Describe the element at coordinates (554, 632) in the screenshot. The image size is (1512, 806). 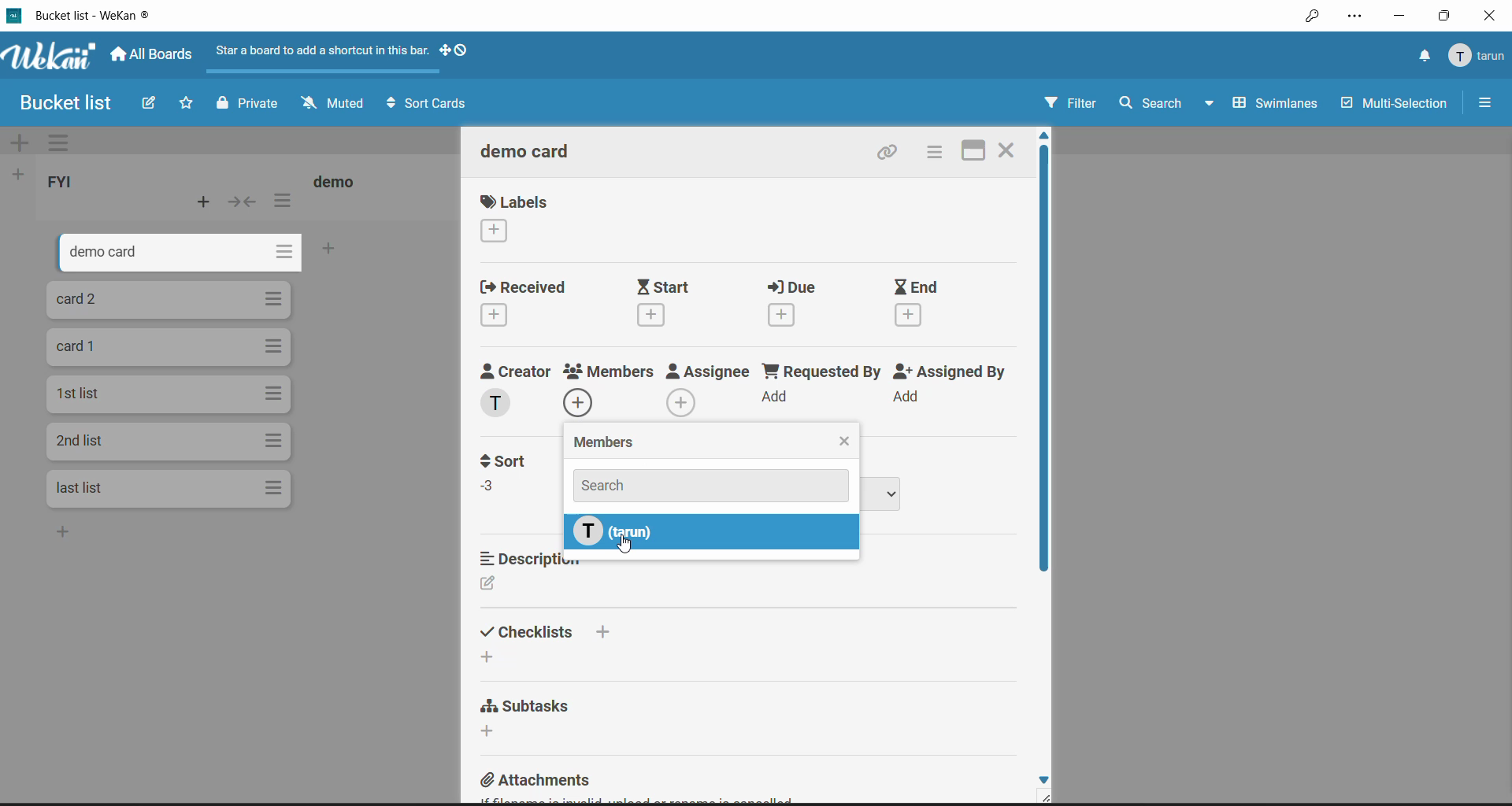
I see `checklists` at that location.